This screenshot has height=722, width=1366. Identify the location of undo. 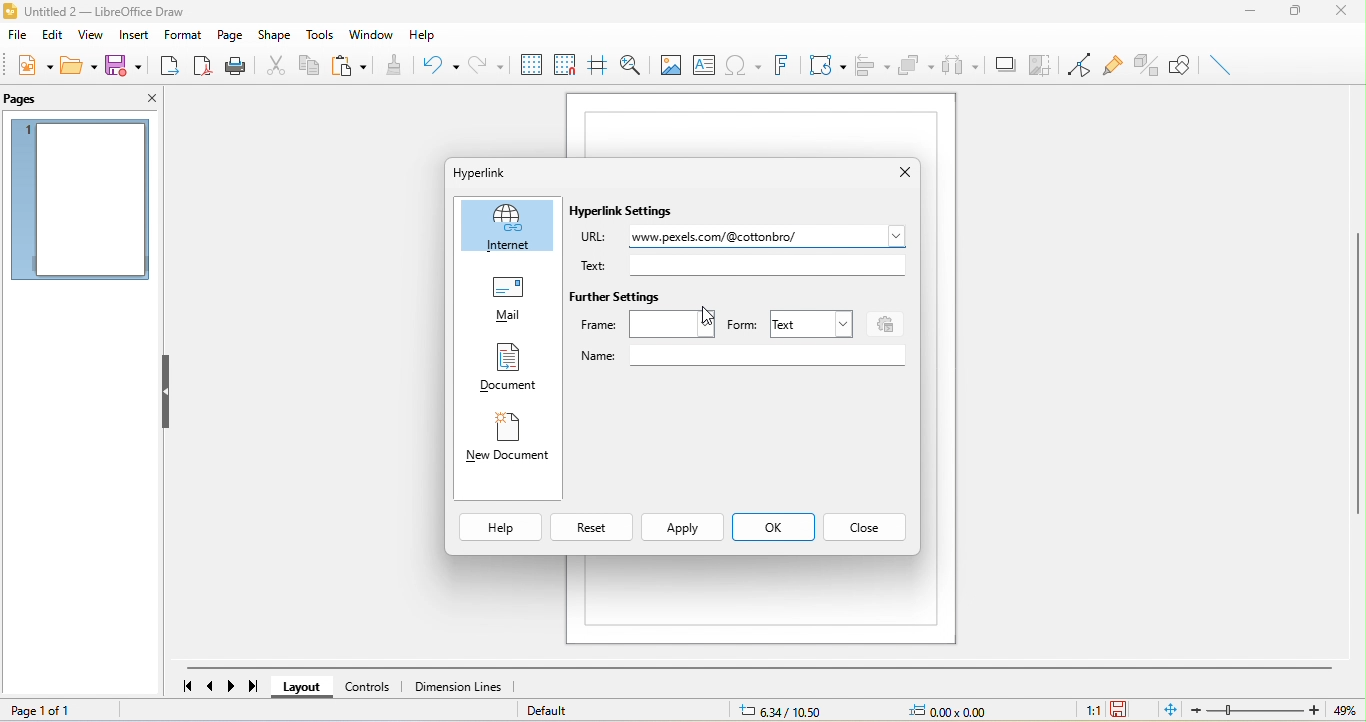
(437, 63).